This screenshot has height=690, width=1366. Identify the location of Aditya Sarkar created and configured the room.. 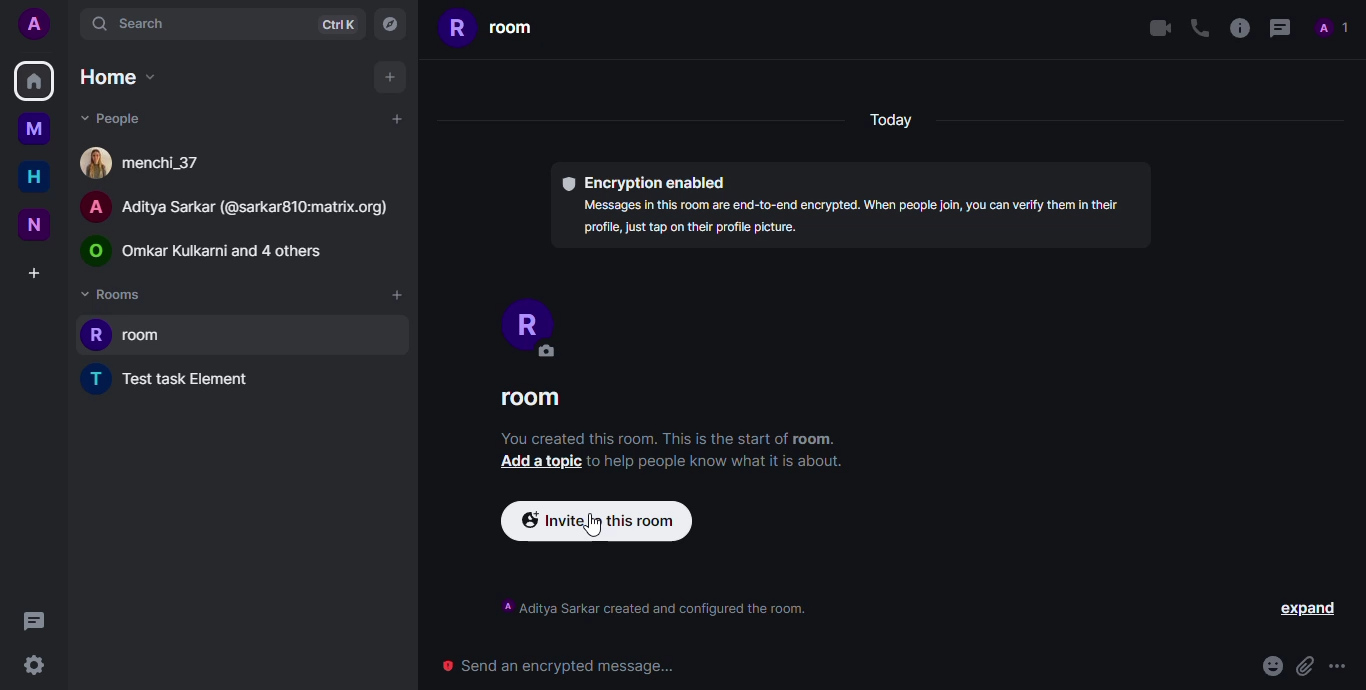
(657, 605).